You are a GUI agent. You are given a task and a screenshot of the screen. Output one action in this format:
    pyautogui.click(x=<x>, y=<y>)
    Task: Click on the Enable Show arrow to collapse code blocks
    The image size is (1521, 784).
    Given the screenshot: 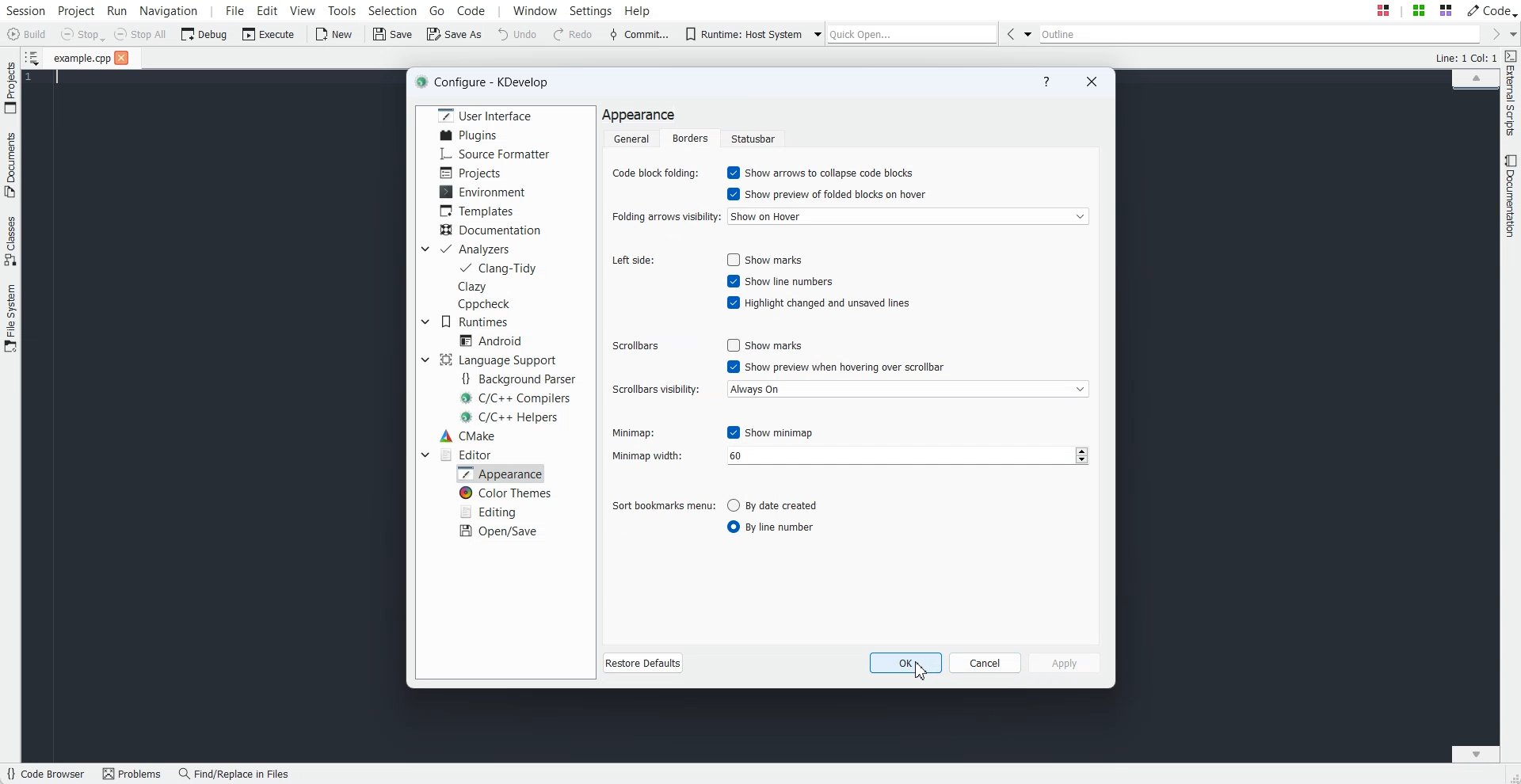 What is the action you would take?
    pyautogui.click(x=824, y=172)
    